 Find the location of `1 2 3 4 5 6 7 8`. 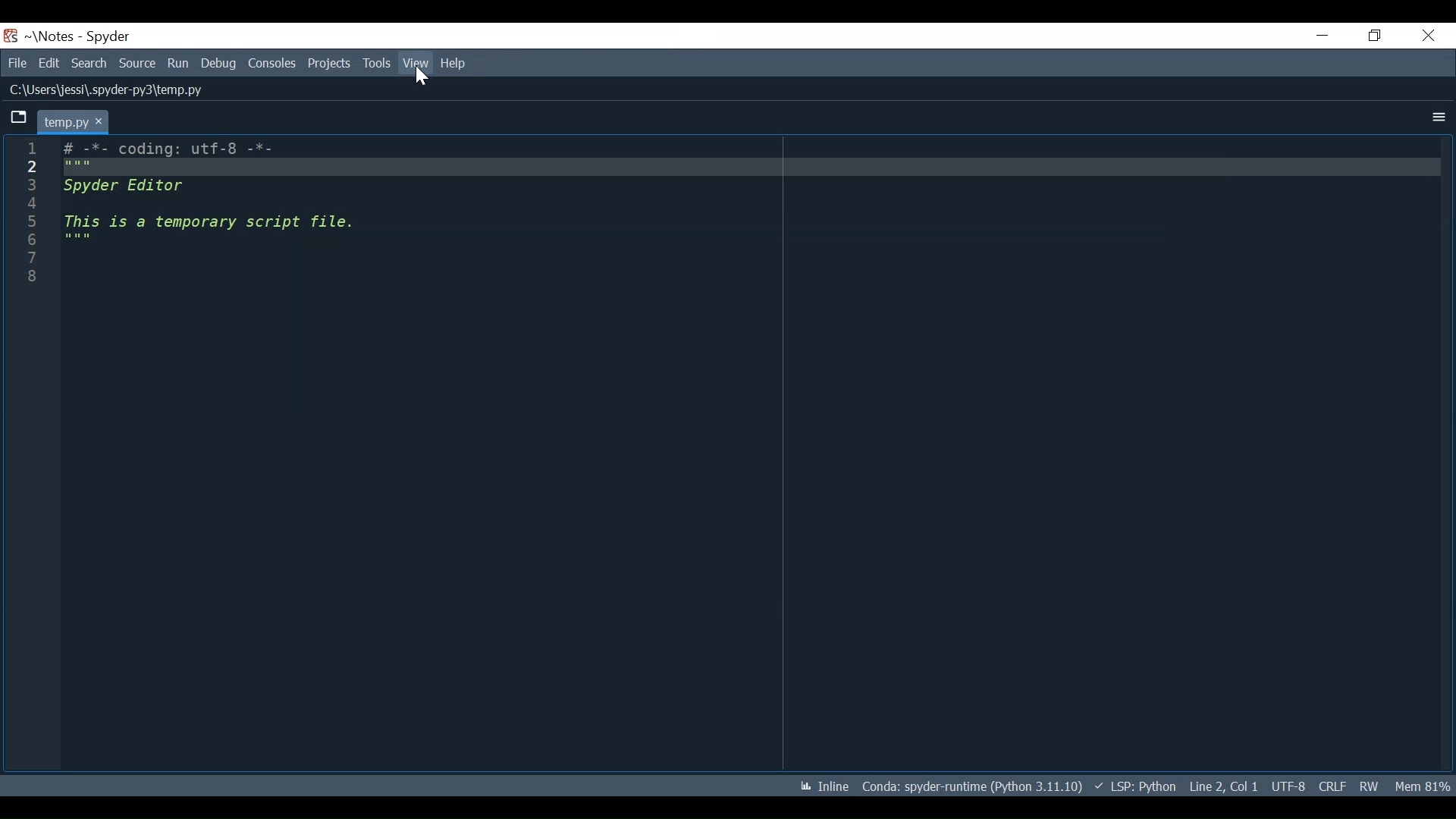

1 2 3 4 5 6 7 8 is located at coordinates (35, 214).